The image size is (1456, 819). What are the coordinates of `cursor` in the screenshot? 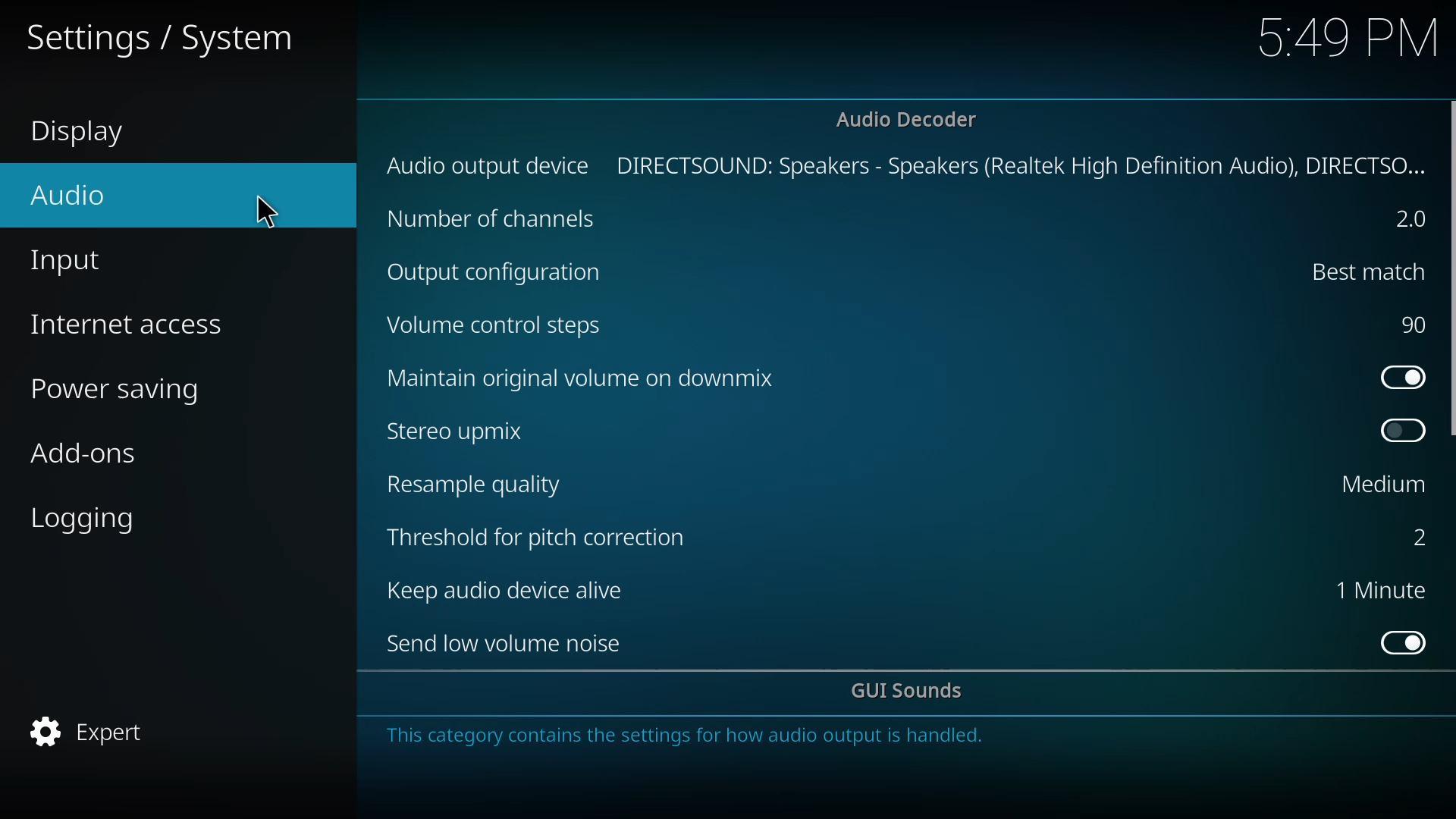 It's located at (260, 211).